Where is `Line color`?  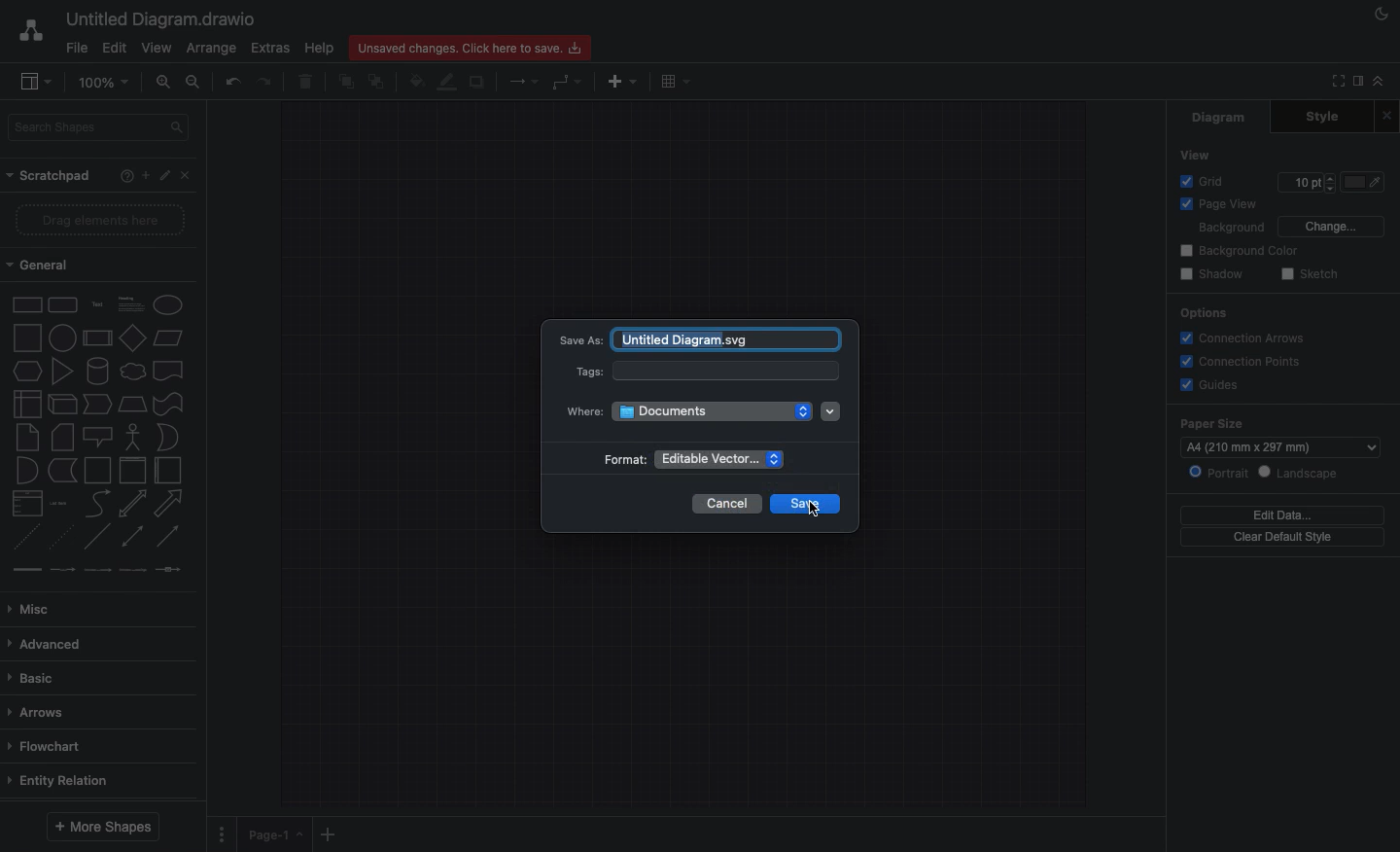
Line color is located at coordinates (449, 83).